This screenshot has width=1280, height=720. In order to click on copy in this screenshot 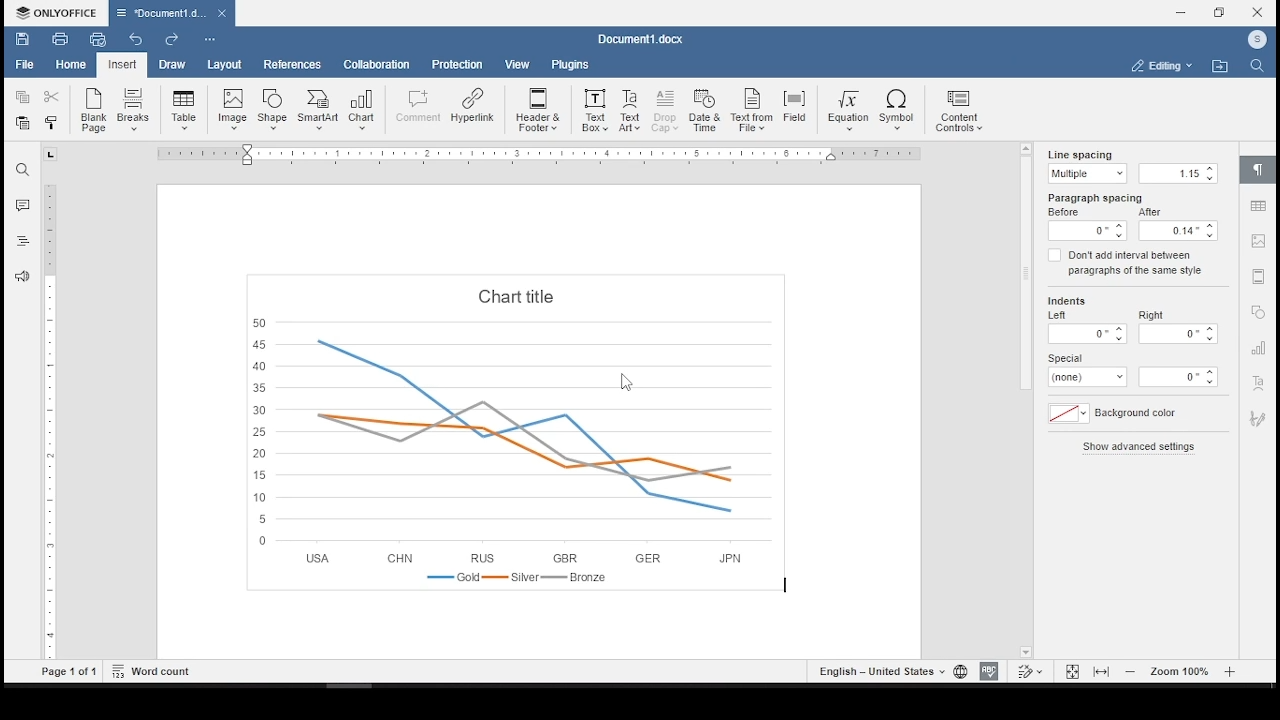, I will do `click(22, 98)`.